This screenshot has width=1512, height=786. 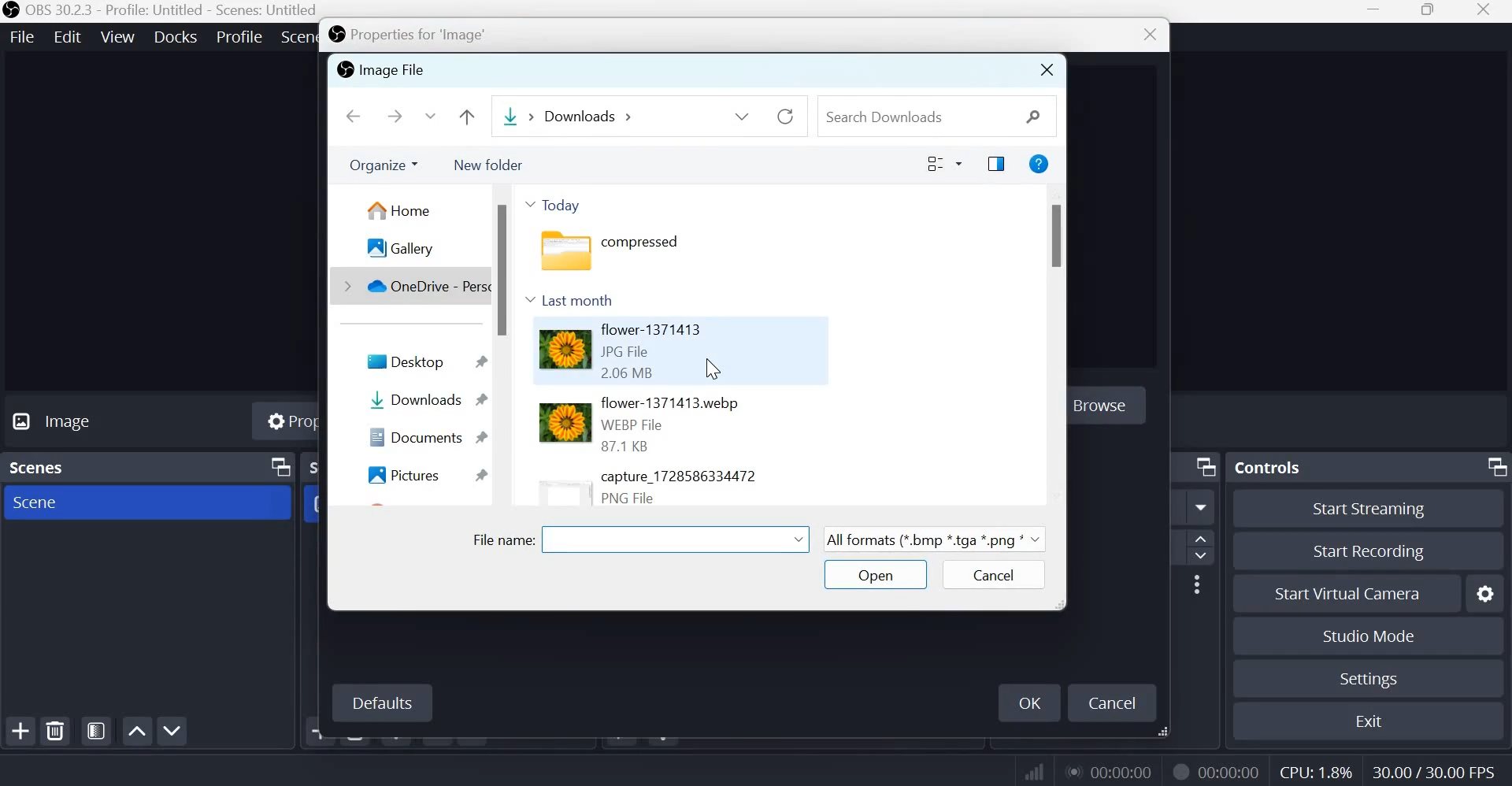 I want to click on Browse, so click(x=1114, y=408).